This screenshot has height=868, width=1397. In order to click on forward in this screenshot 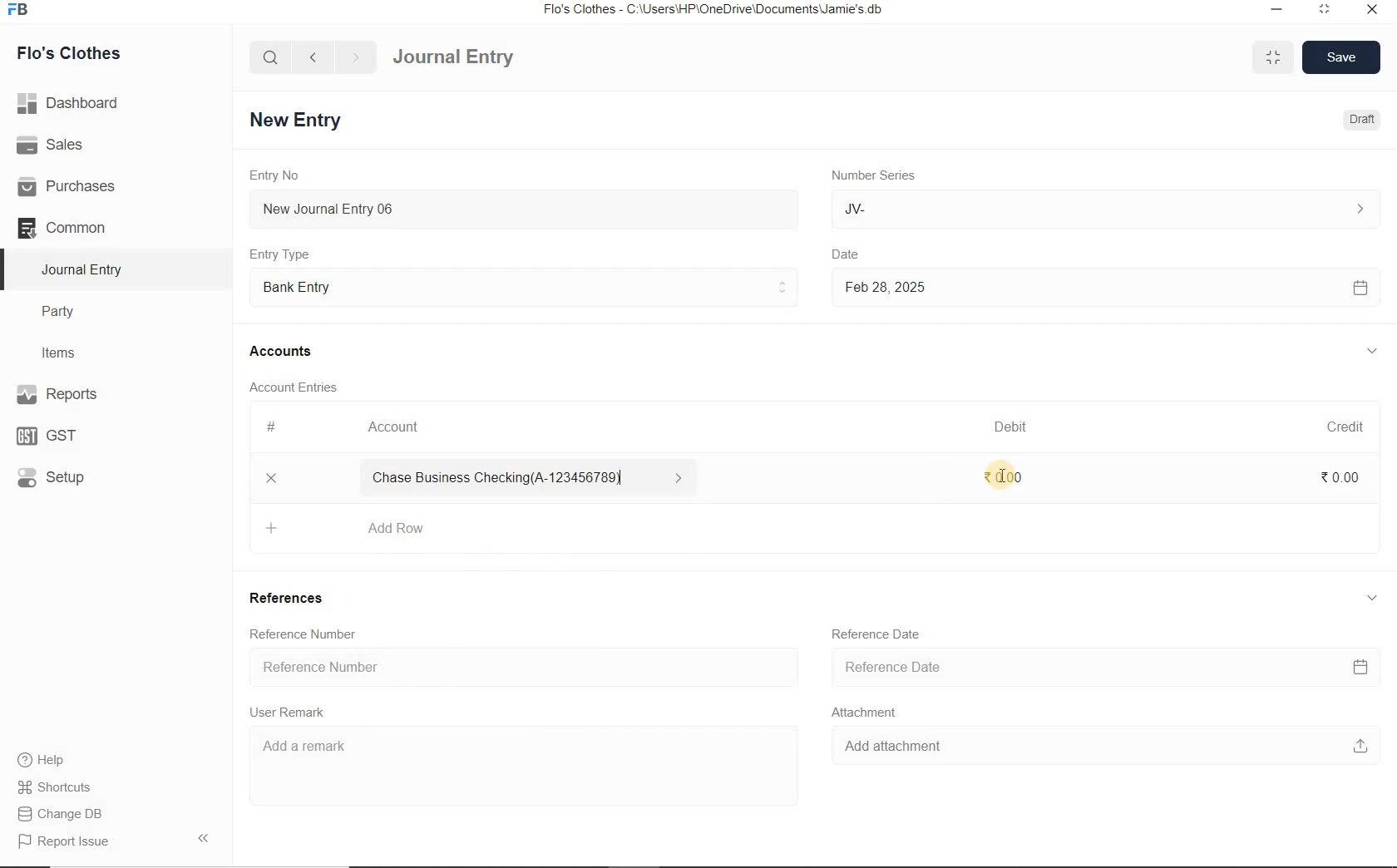, I will do `click(357, 57)`.